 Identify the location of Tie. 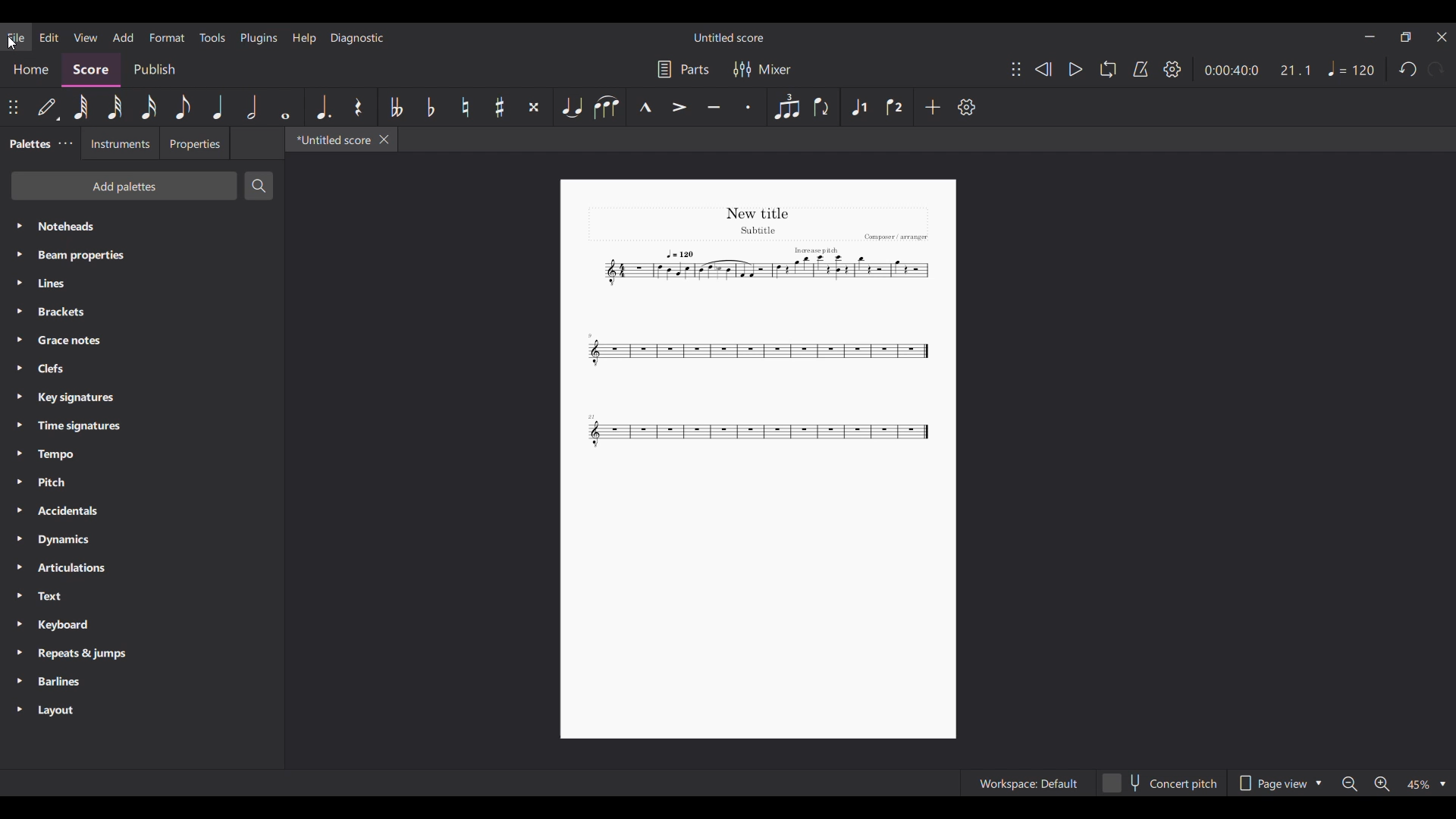
(571, 107).